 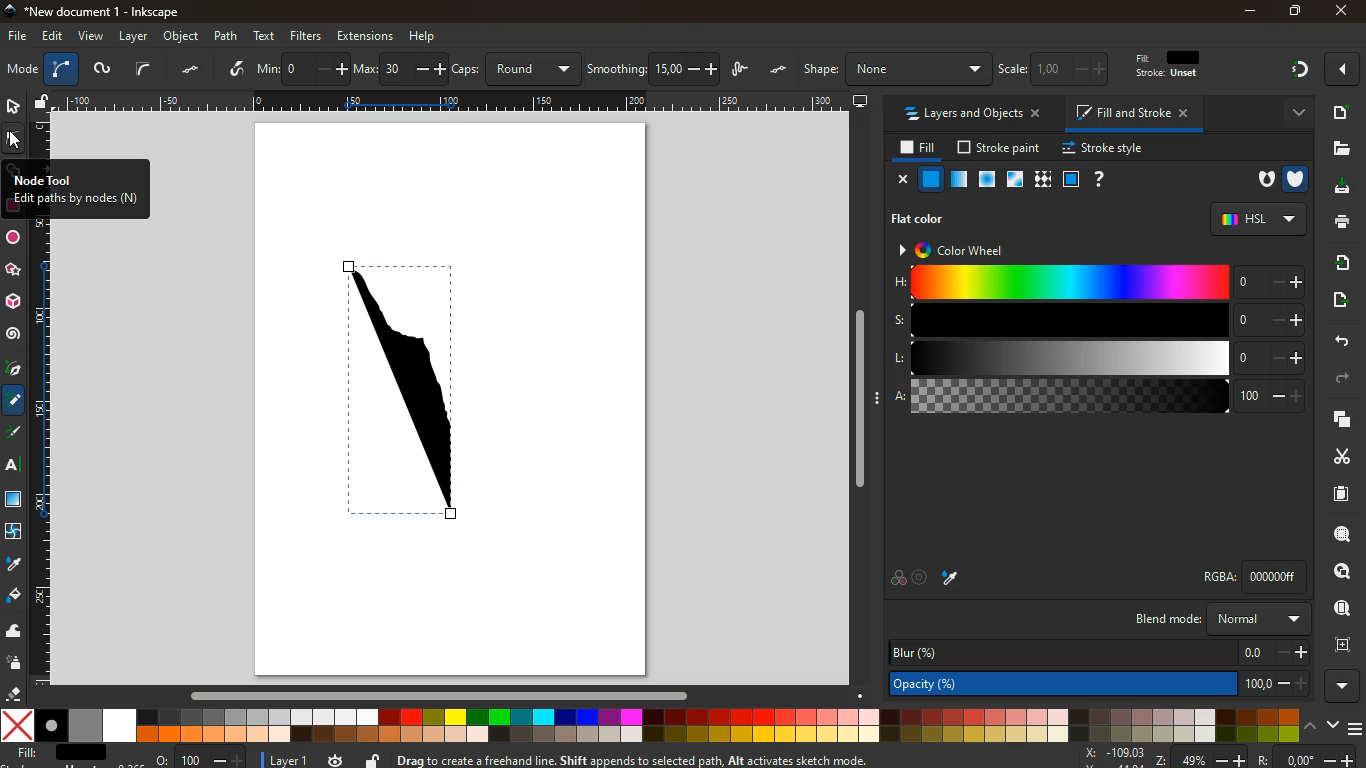 I want to click on object, so click(x=182, y=37).